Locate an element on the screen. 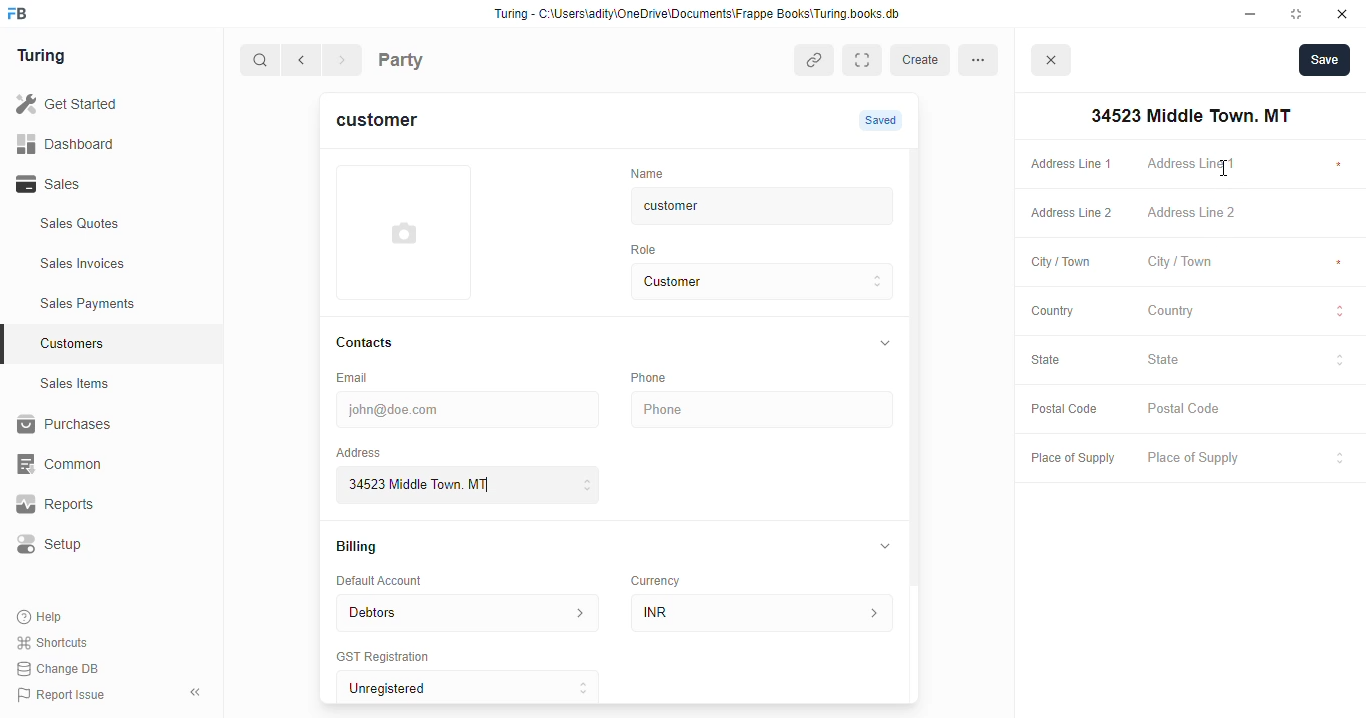  Saved is located at coordinates (883, 120).